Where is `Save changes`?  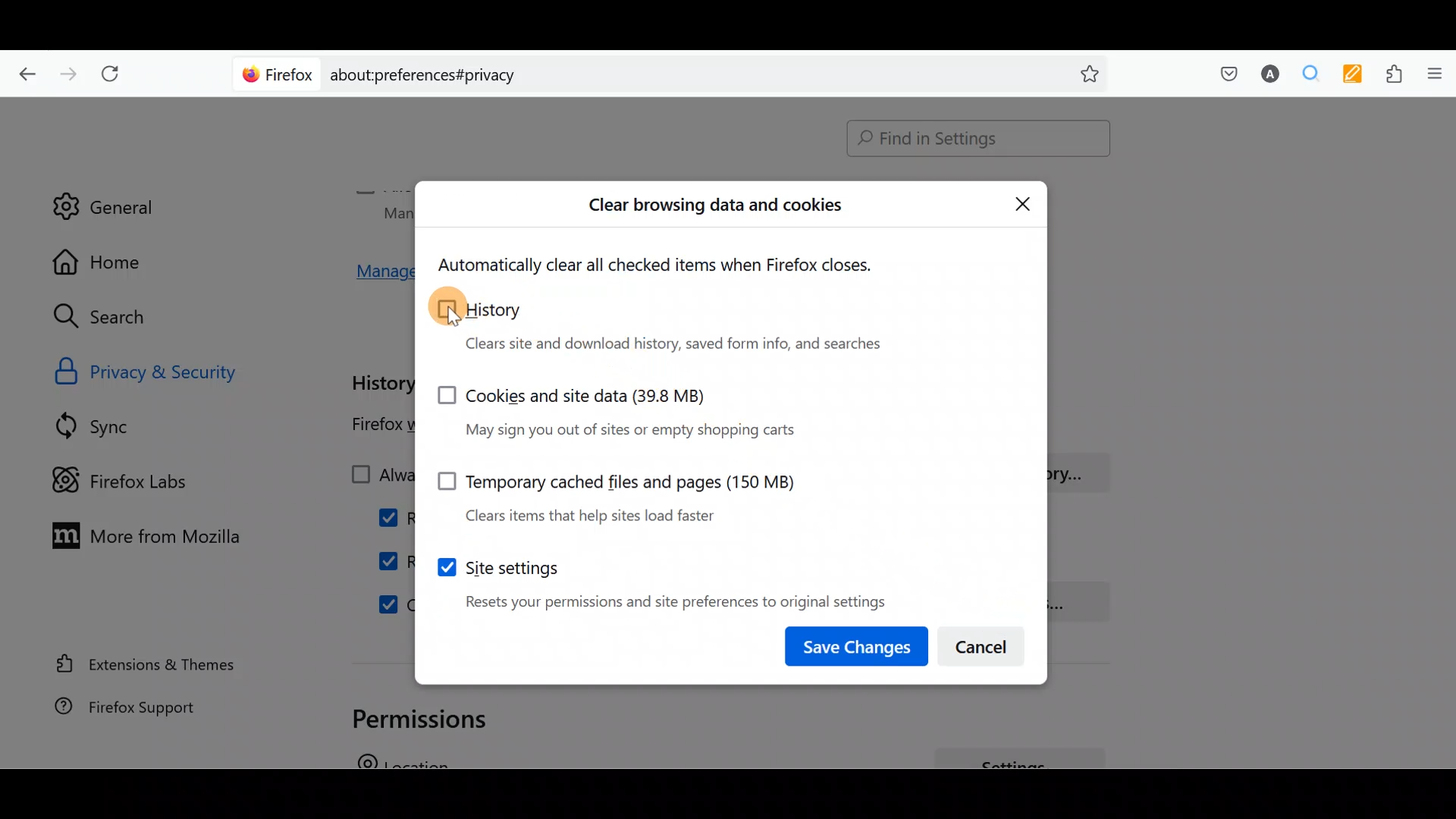 Save changes is located at coordinates (858, 643).